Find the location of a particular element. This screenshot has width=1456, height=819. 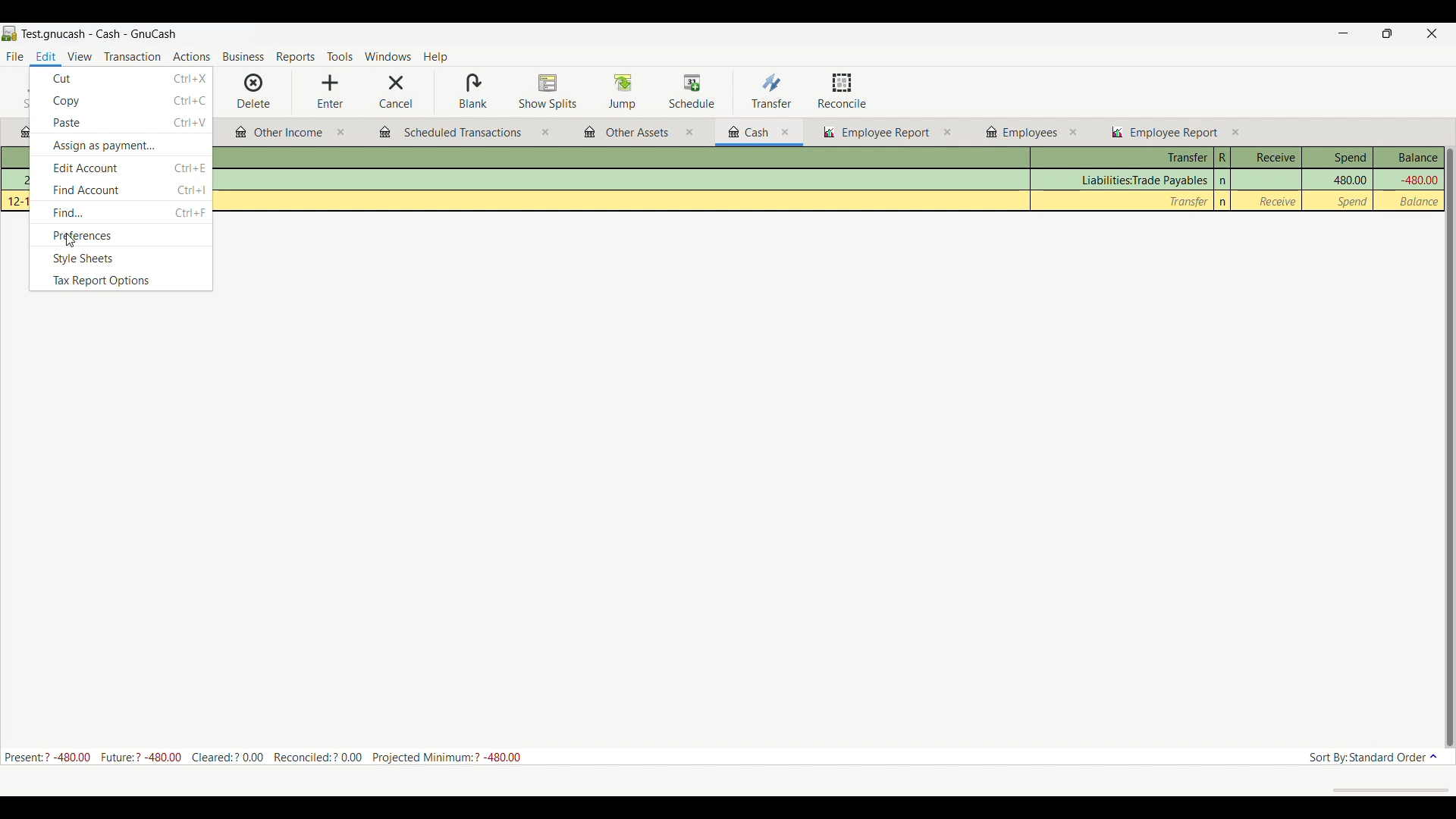

Balance column is located at coordinates (1417, 180).